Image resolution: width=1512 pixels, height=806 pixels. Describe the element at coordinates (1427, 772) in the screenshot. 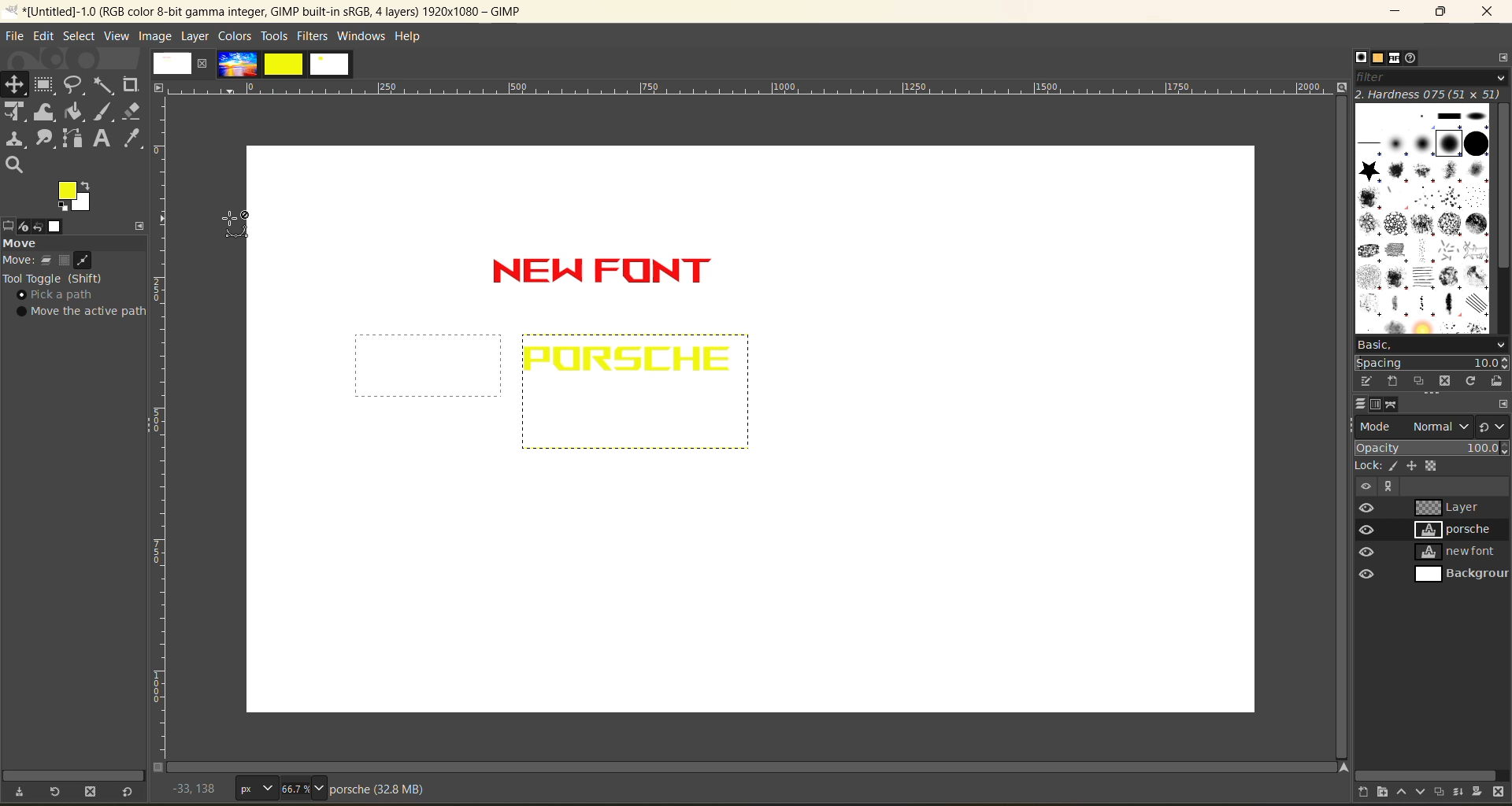

I see `horizontal scroll bar` at that location.